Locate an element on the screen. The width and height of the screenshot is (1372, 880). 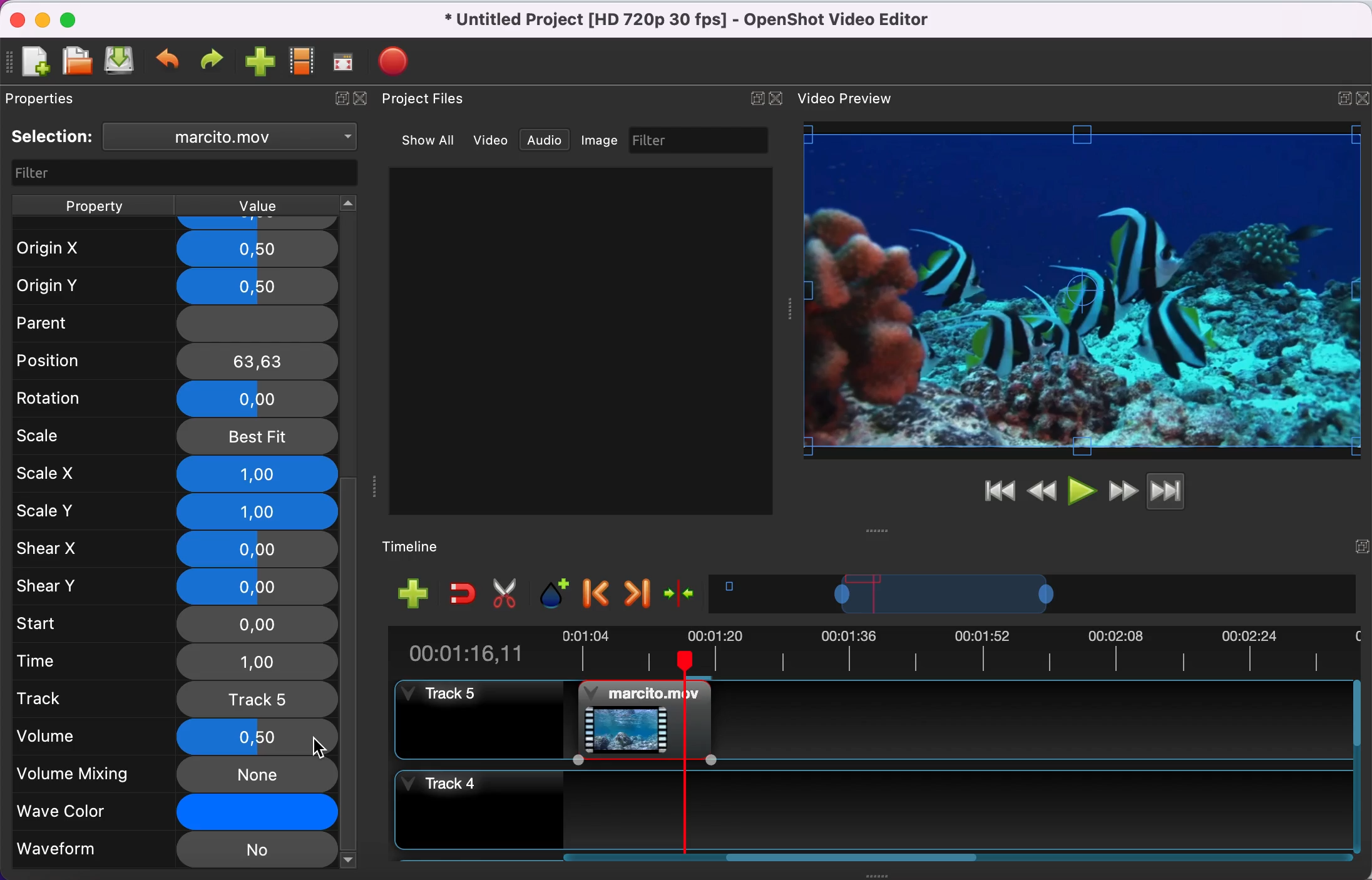
vertical scroll bar is located at coordinates (352, 672).